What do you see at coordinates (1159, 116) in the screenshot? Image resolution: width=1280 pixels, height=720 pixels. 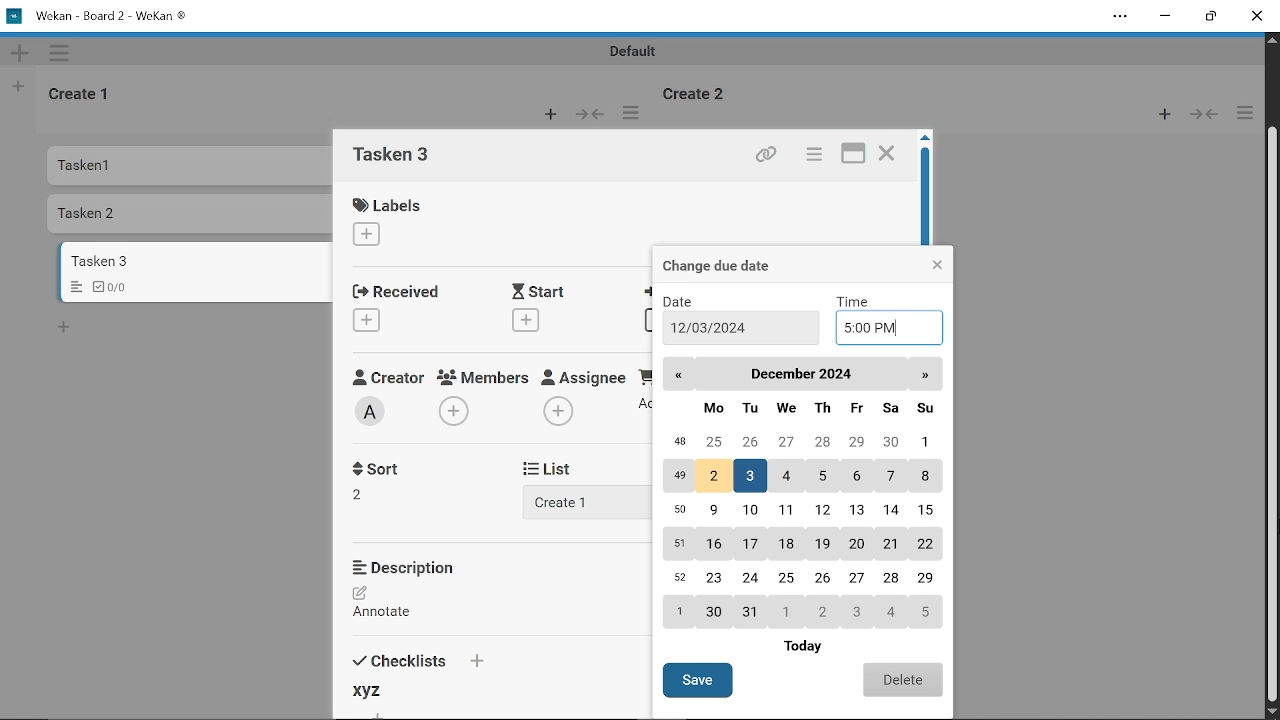 I see `New` at bounding box center [1159, 116].